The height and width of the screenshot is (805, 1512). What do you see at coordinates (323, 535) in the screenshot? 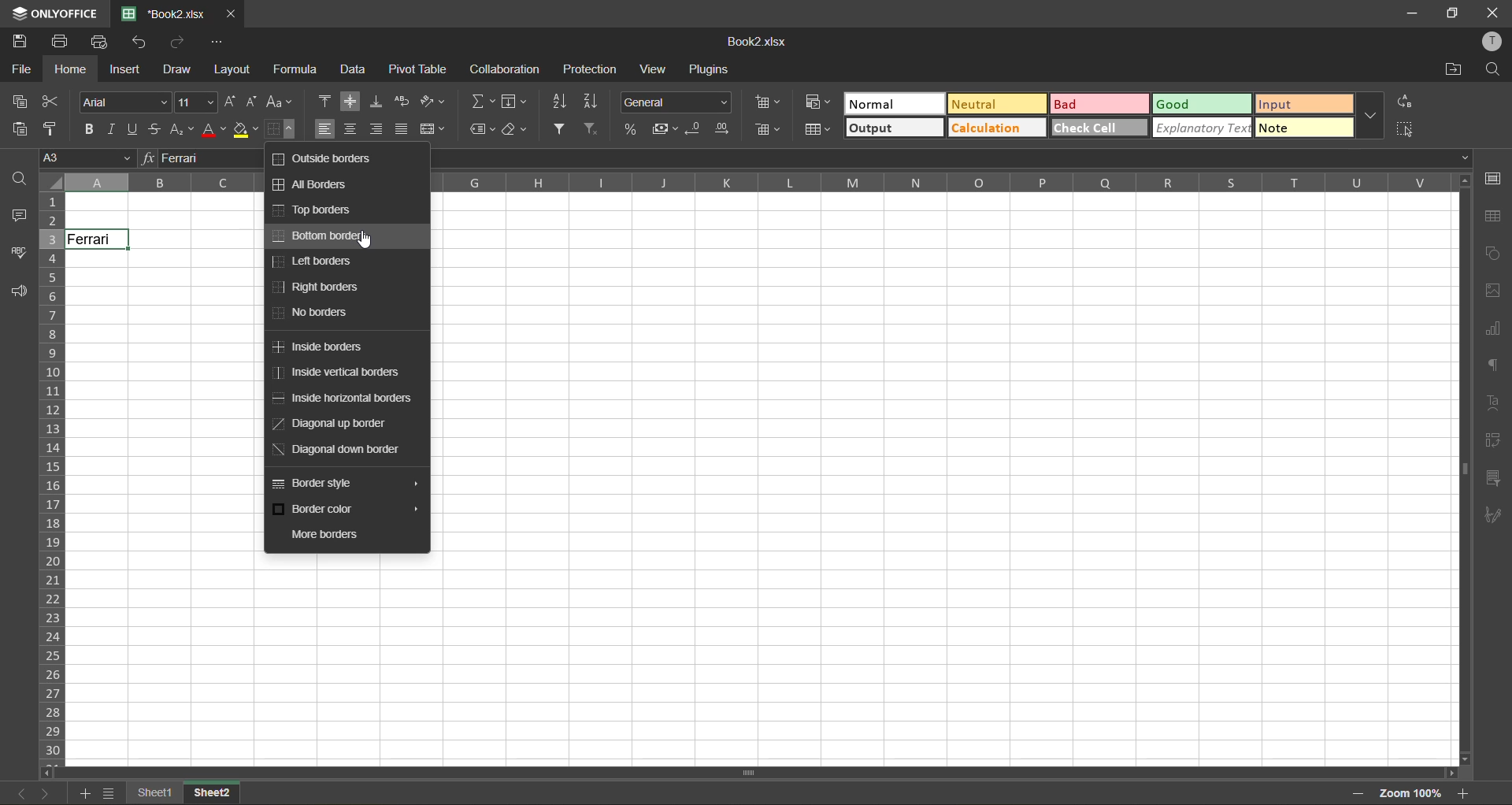
I see `more borders` at bounding box center [323, 535].